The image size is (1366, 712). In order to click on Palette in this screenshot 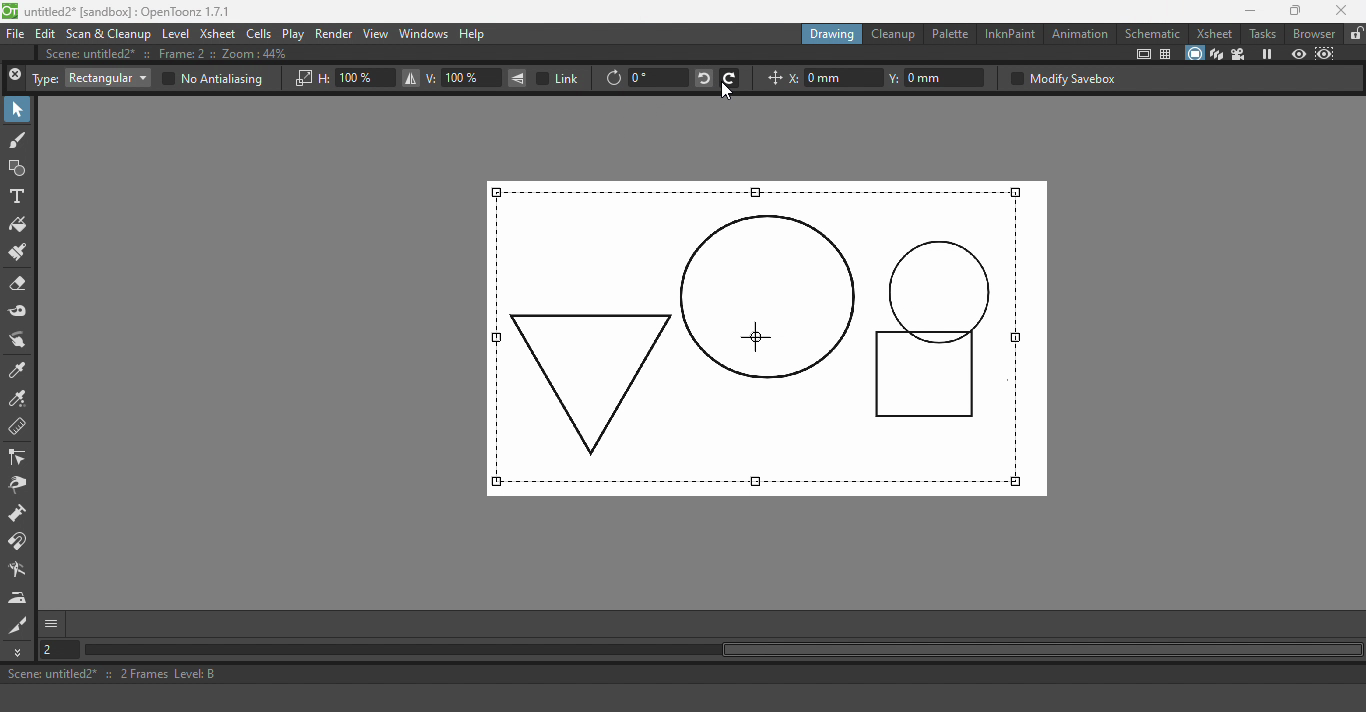, I will do `click(949, 35)`.